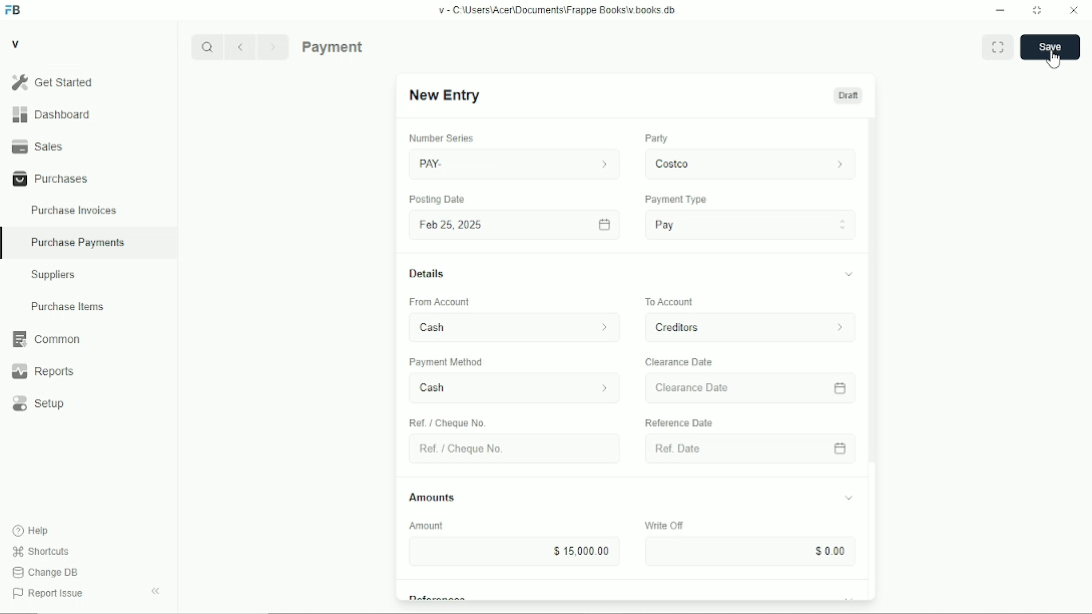 The image size is (1092, 614). What do you see at coordinates (12, 10) in the screenshot?
I see `Frappe Books logo` at bounding box center [12, 10].